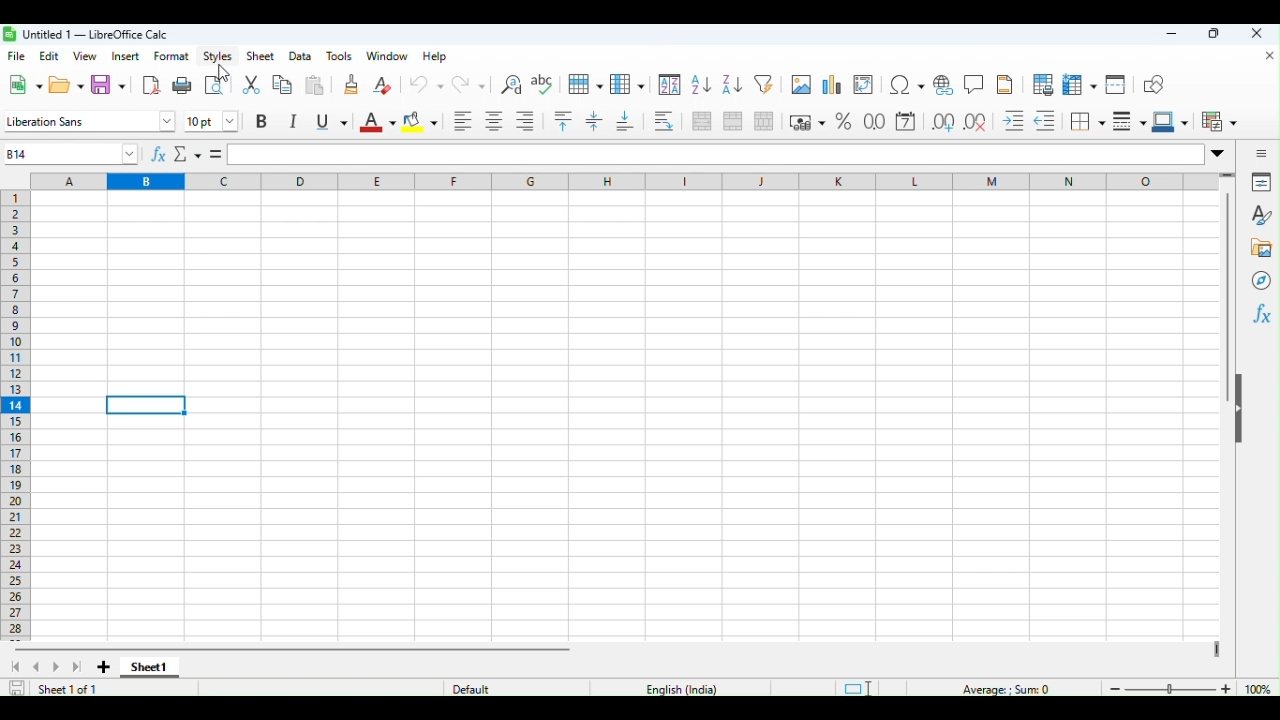 The height and width of the screenshot is (720, 1280). I want to click on g, so click(530, 181).